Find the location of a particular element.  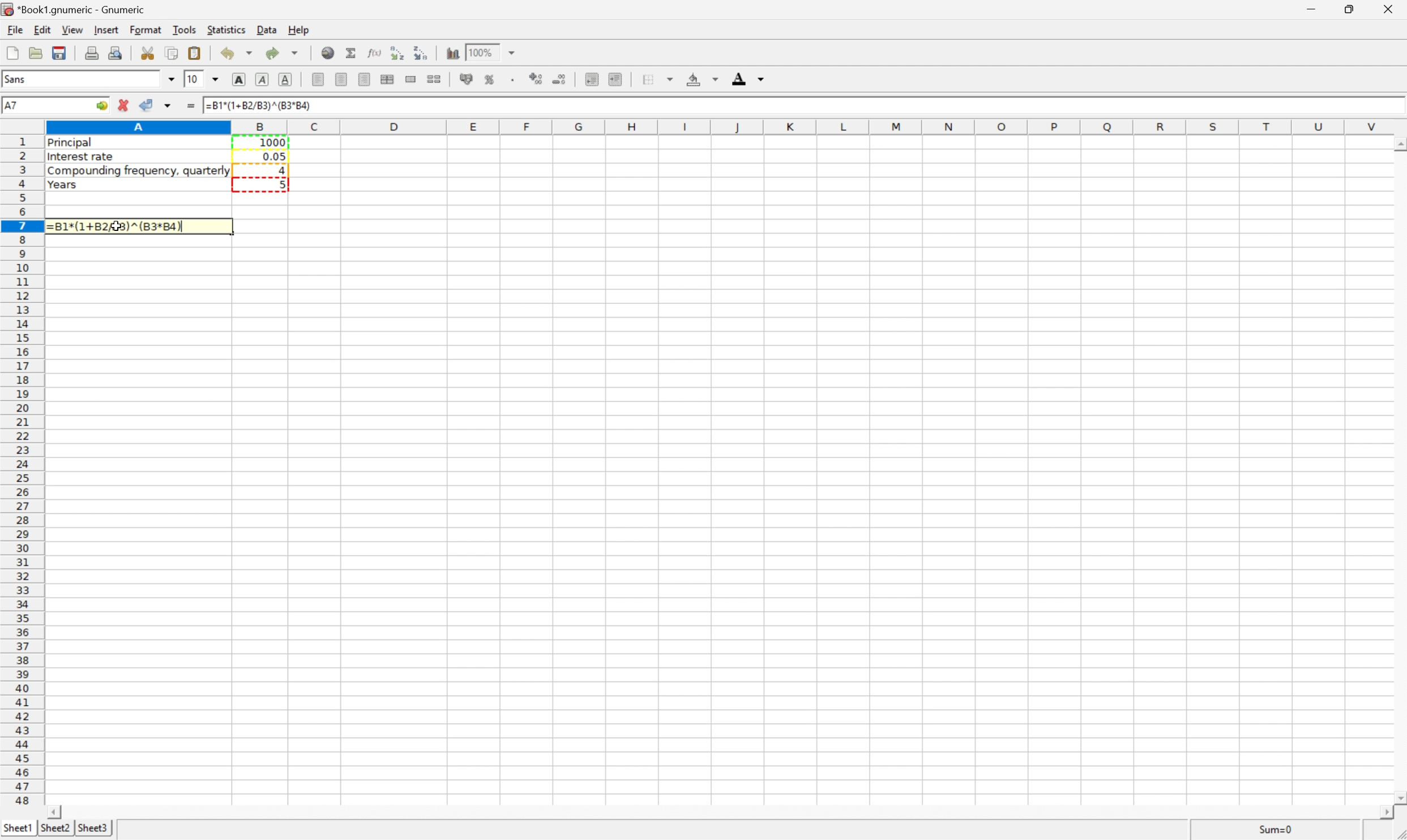

insert is located at coordinates (105, 31).